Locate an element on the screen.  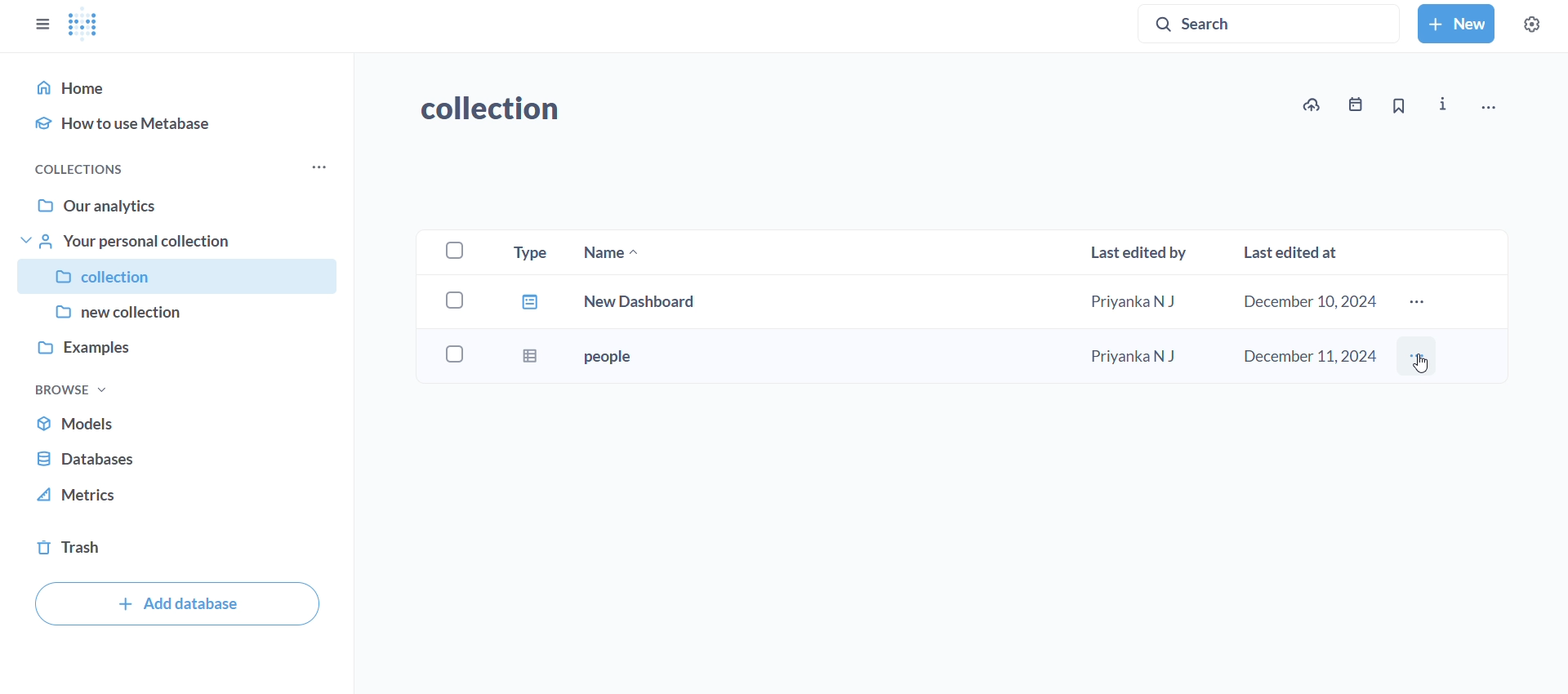
models is located at coordinates (183, 425).